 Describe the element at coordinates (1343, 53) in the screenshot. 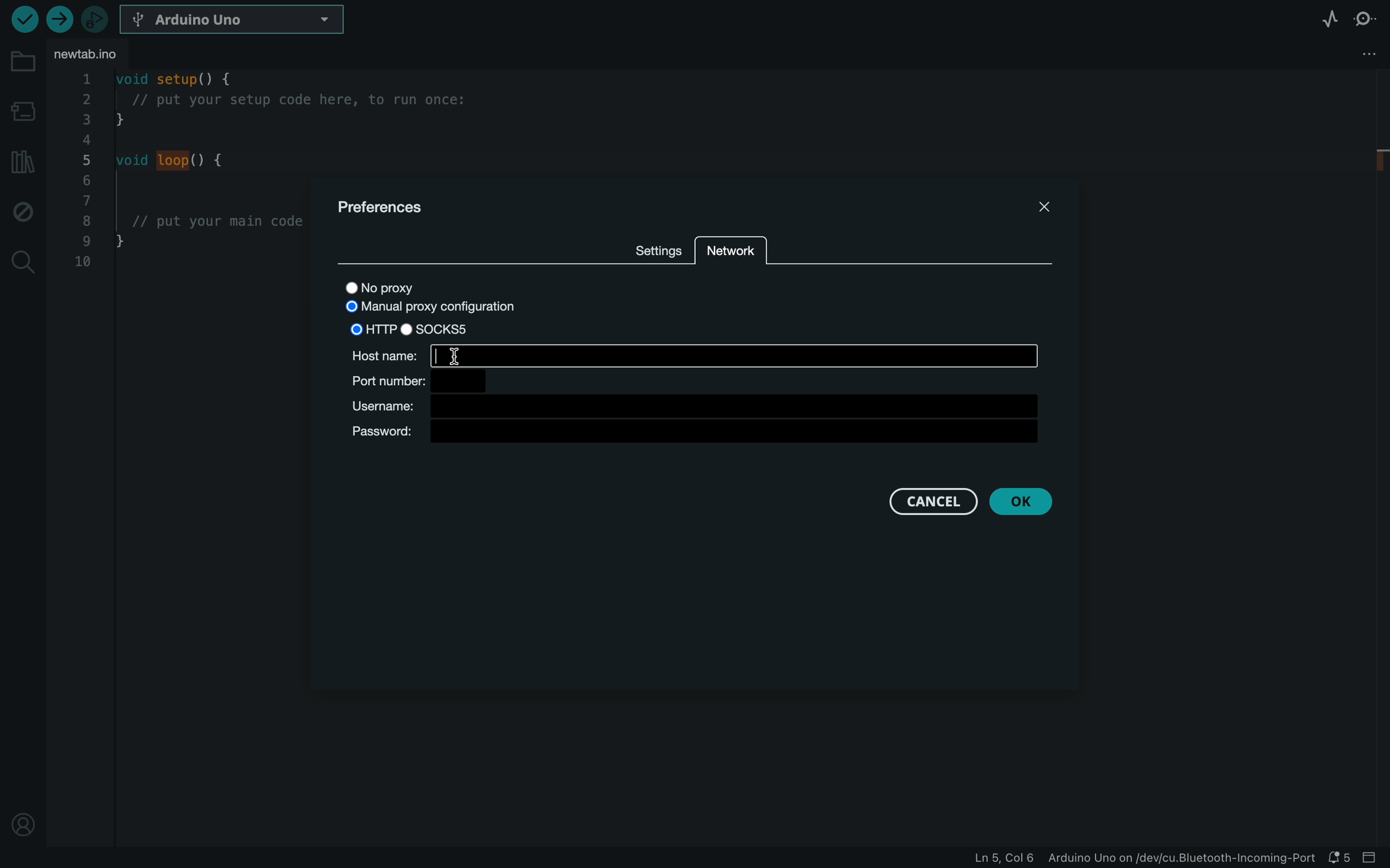

I see `file setting` at that location.